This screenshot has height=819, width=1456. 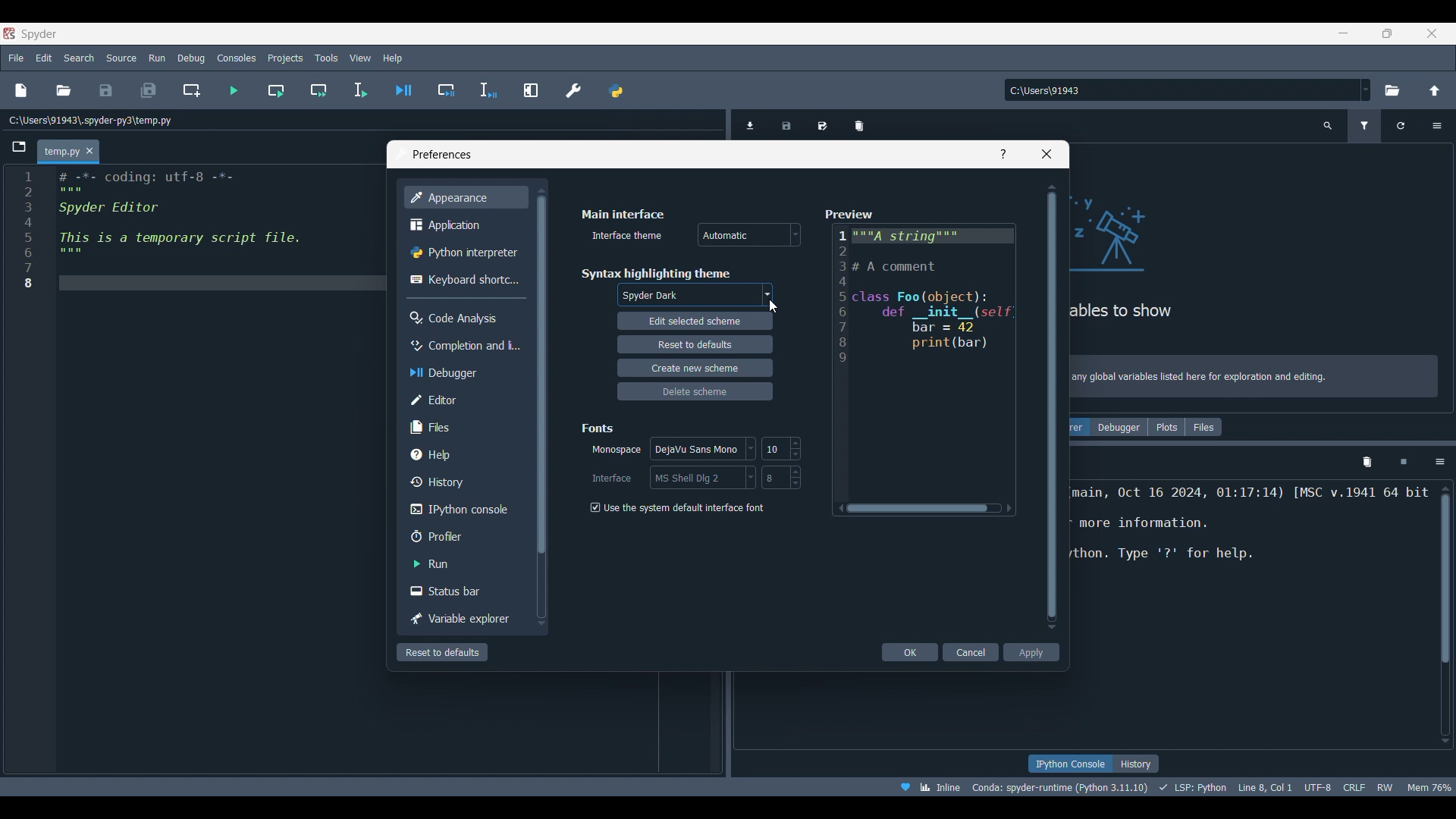 I want to click on Run current cell, so click(x=275, y=90).